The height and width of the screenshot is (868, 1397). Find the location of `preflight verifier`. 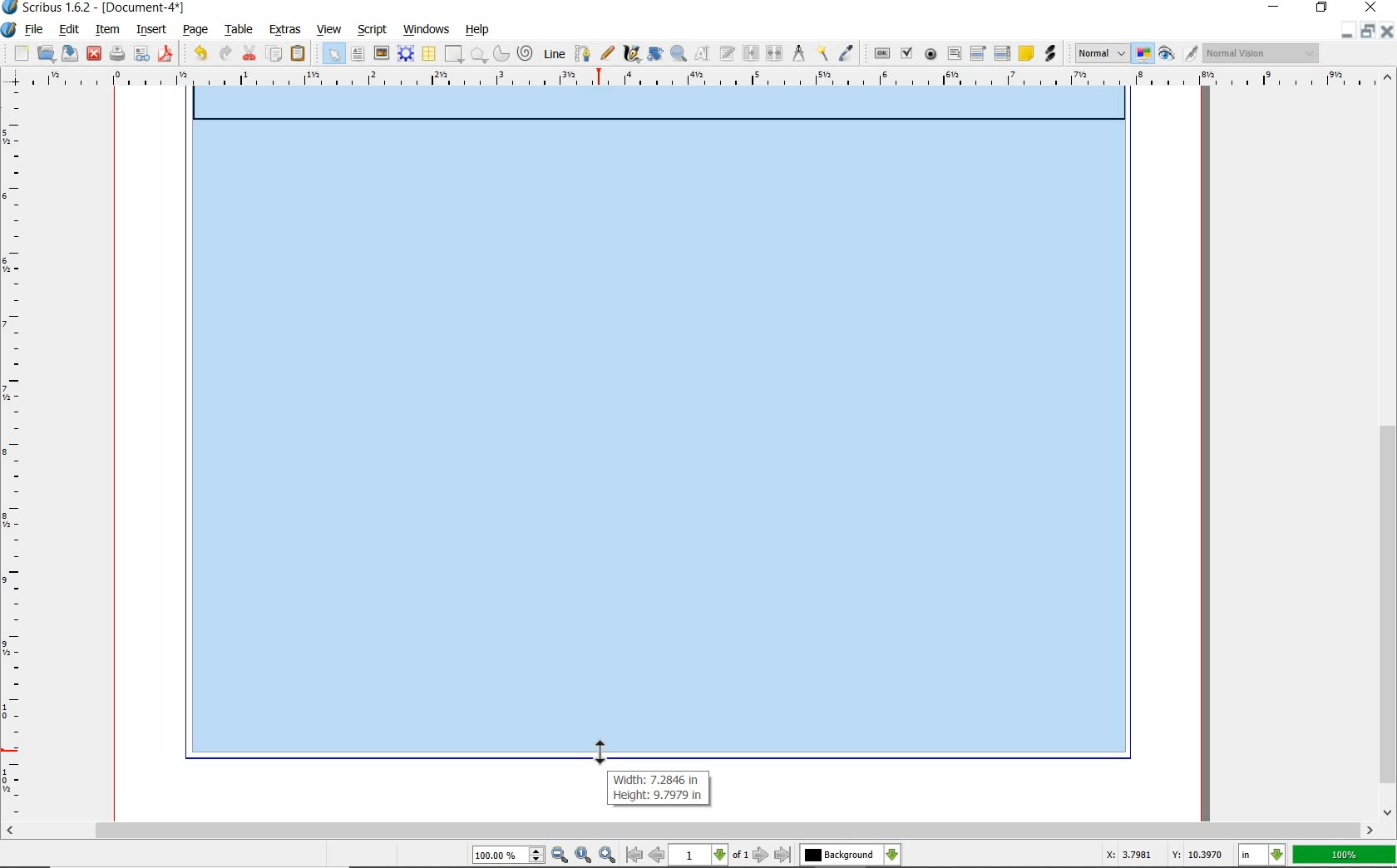

preflight verifier is located at coordinates (142, 54).